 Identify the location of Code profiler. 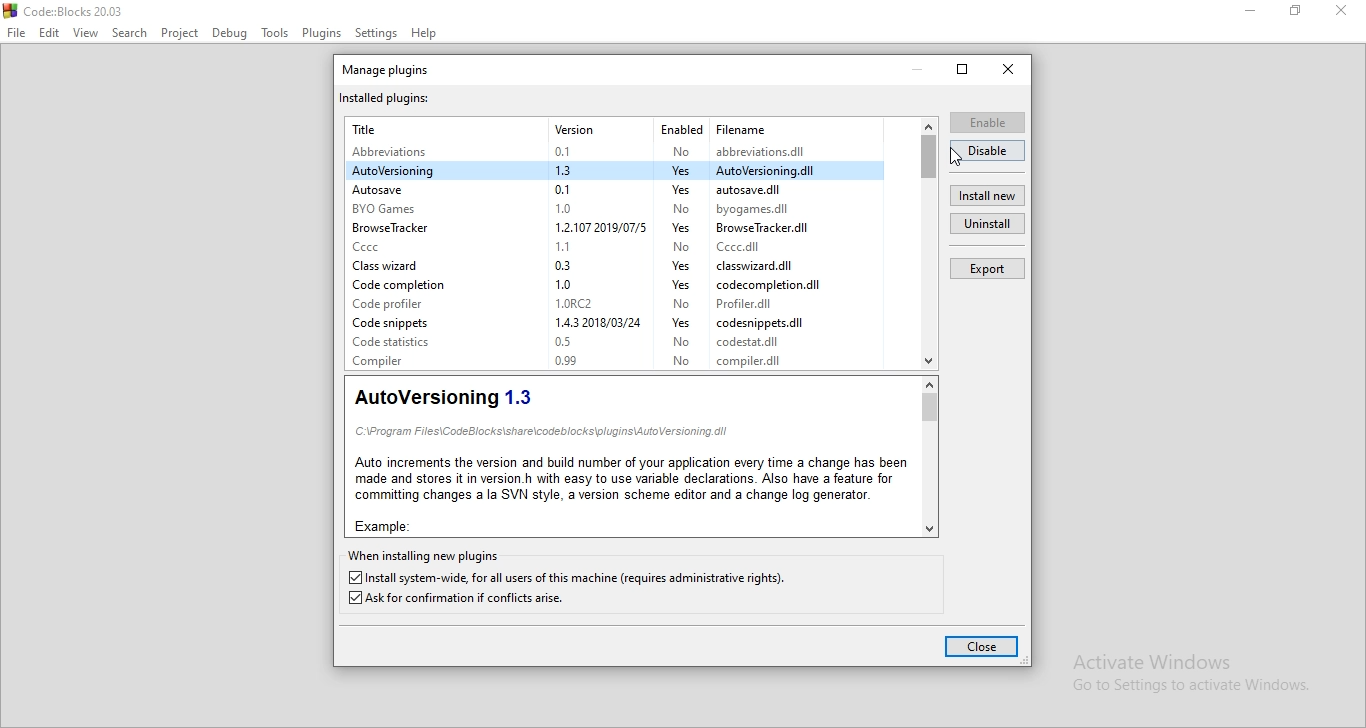
(404, 303).